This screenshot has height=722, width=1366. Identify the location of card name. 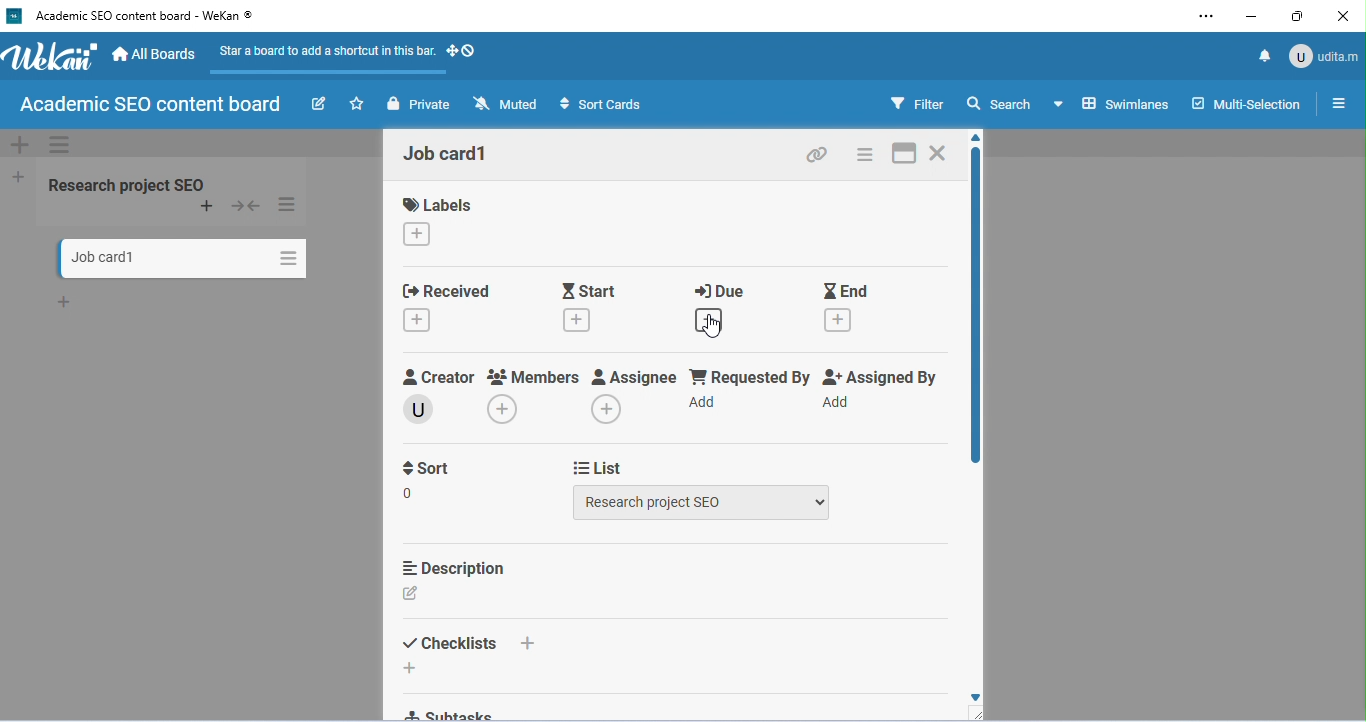
(449, 154).